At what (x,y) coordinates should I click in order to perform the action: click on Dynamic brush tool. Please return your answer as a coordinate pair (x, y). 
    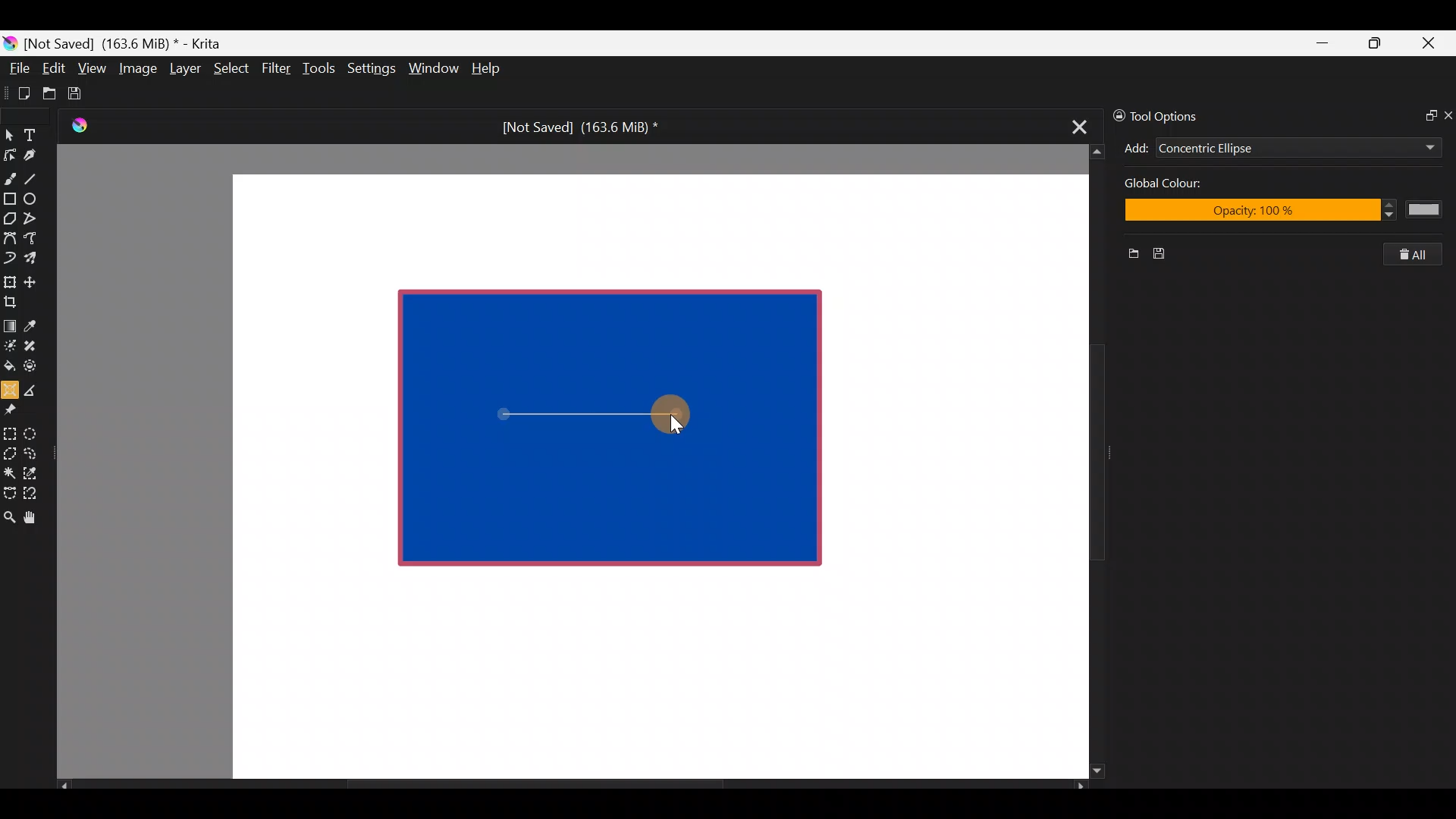
    Looking at the image, I should click on (11, 258).